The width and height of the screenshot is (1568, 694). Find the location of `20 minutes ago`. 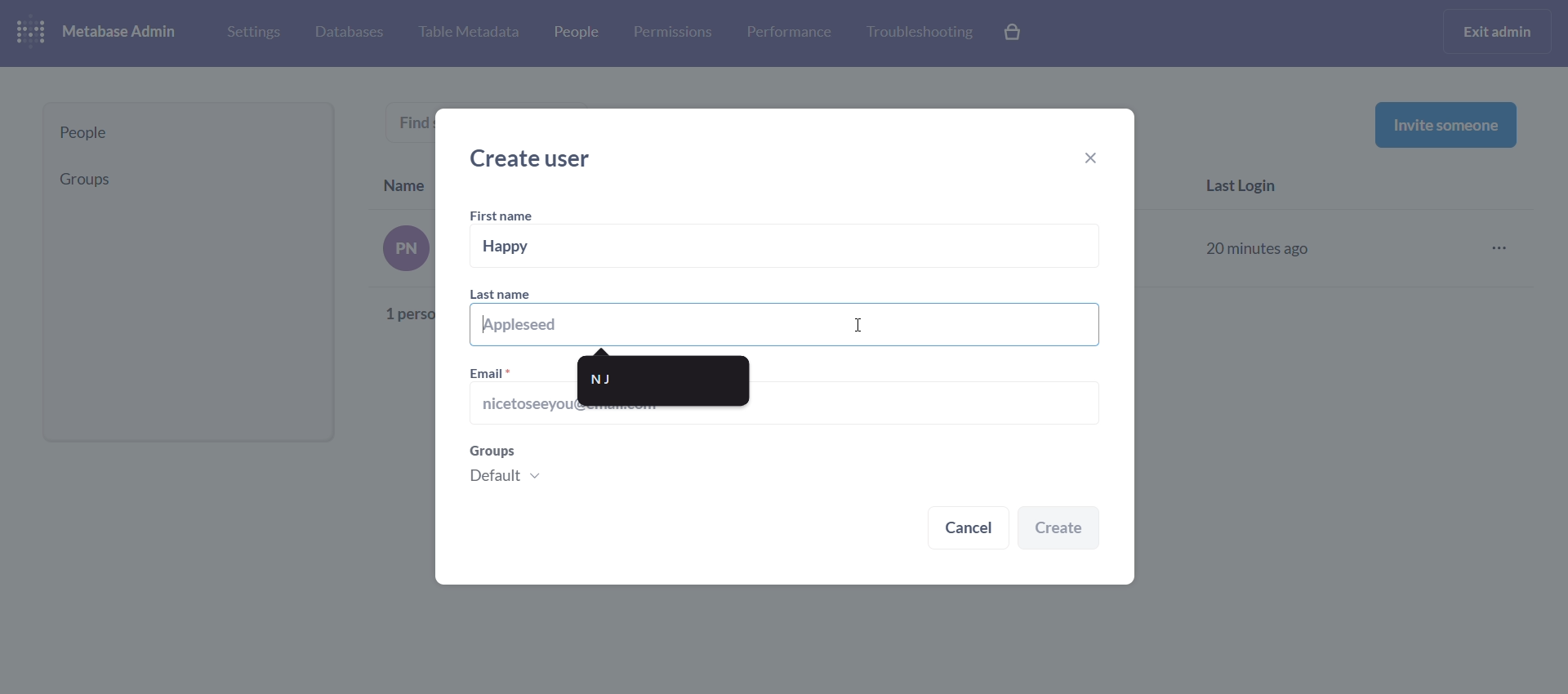

20 minutes ago is located at coordinates (1261, 246).